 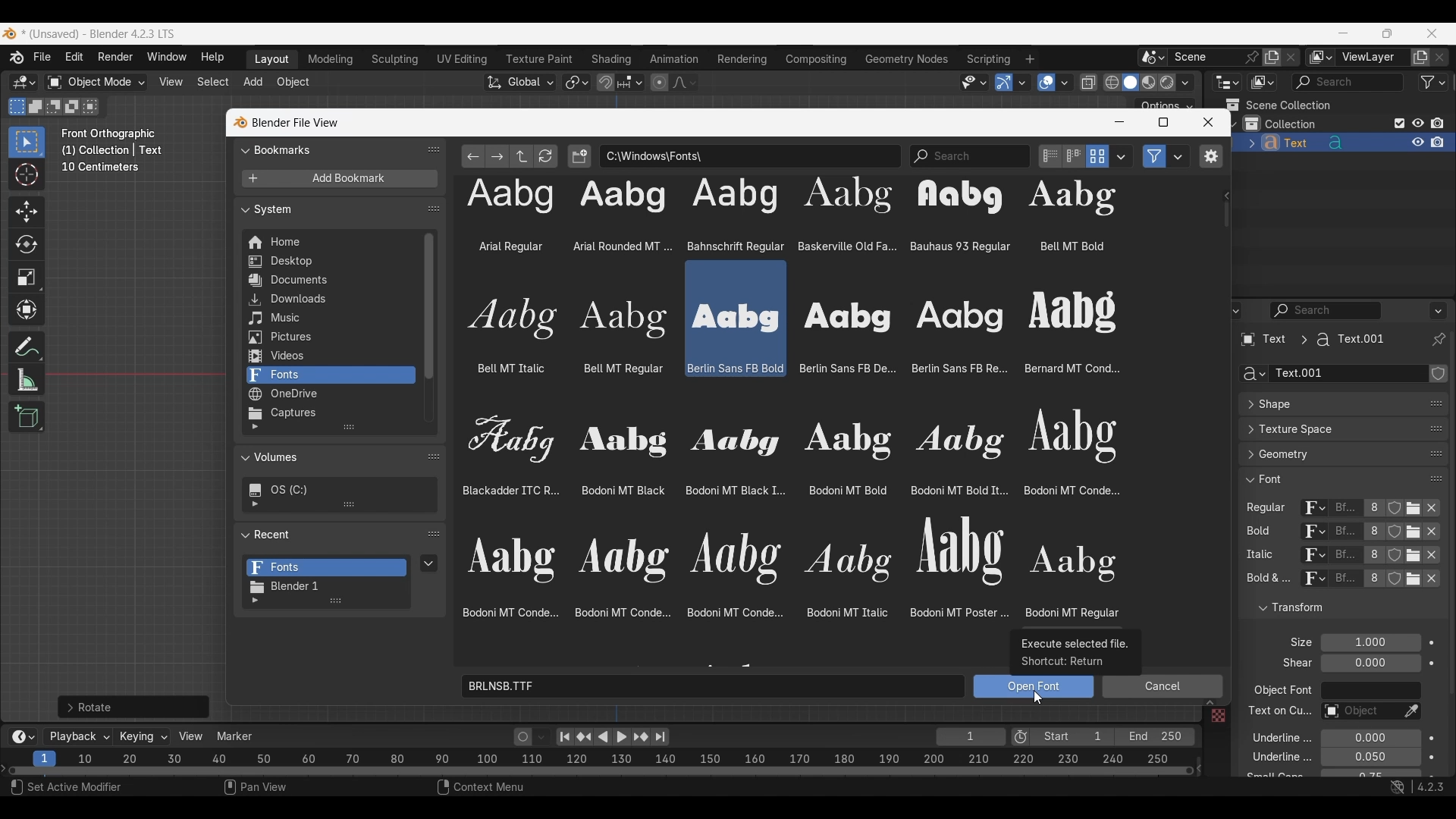 What do you see at coordinates (330, 356) in the screenshot?
I see `Videos folder` at bounding box center [330, 356].